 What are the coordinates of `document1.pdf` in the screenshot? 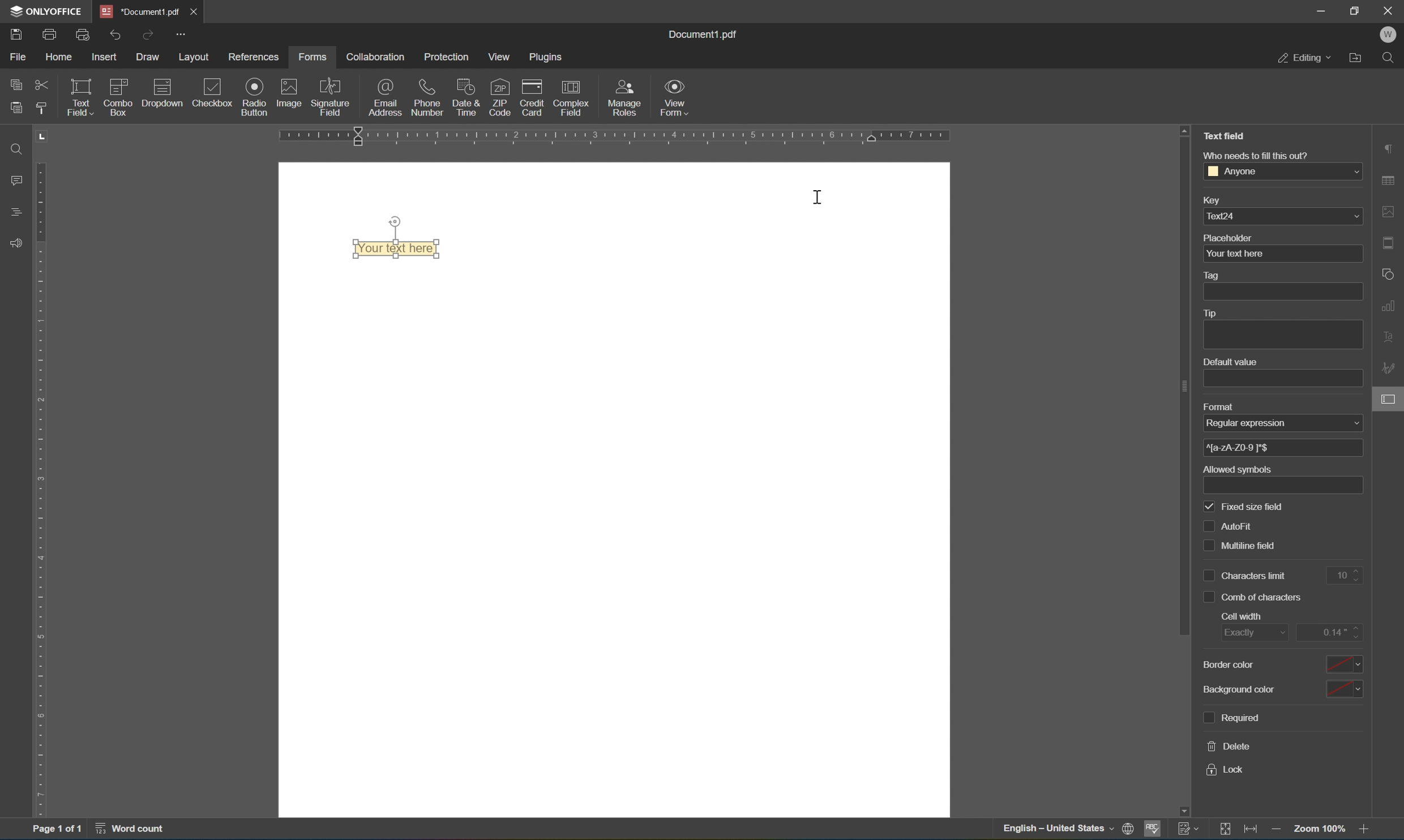 It's located at (701, 32).